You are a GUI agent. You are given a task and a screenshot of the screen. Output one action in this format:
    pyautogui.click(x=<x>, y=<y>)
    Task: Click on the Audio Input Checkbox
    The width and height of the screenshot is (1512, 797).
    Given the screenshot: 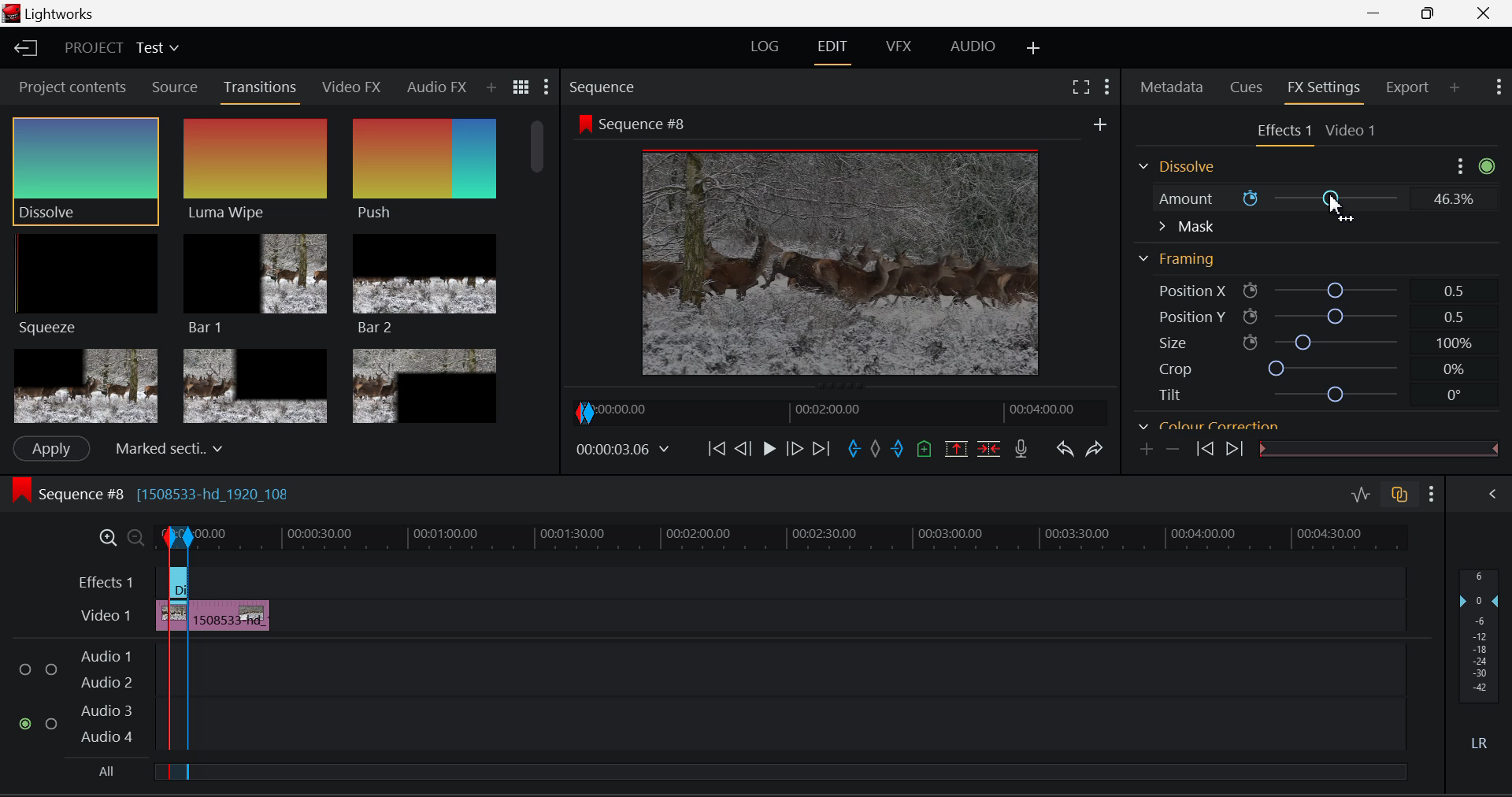 What is the action you would take?
    pyautogui.click(x=27, y=723)
    